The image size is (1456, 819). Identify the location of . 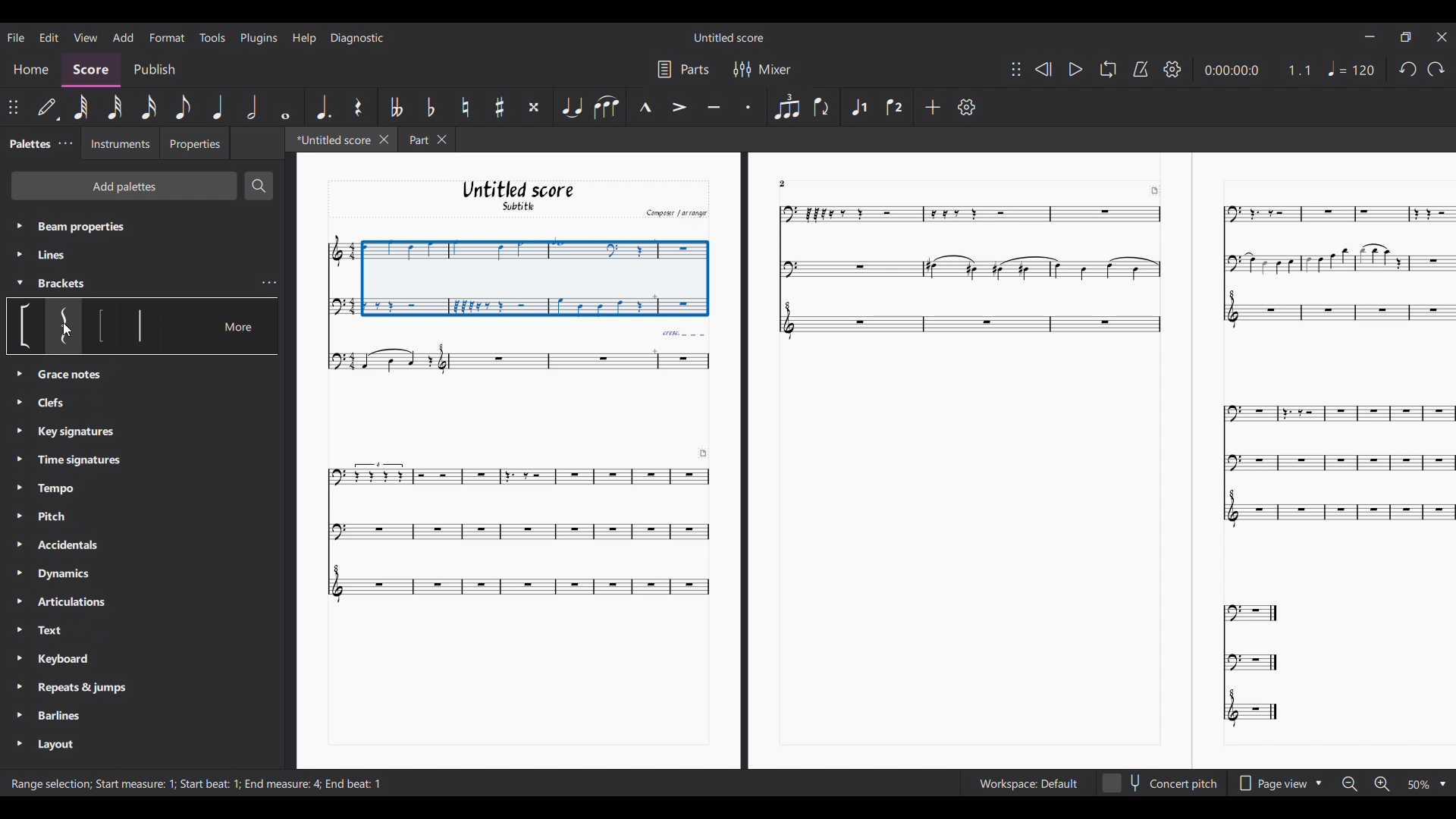
(17, 574).